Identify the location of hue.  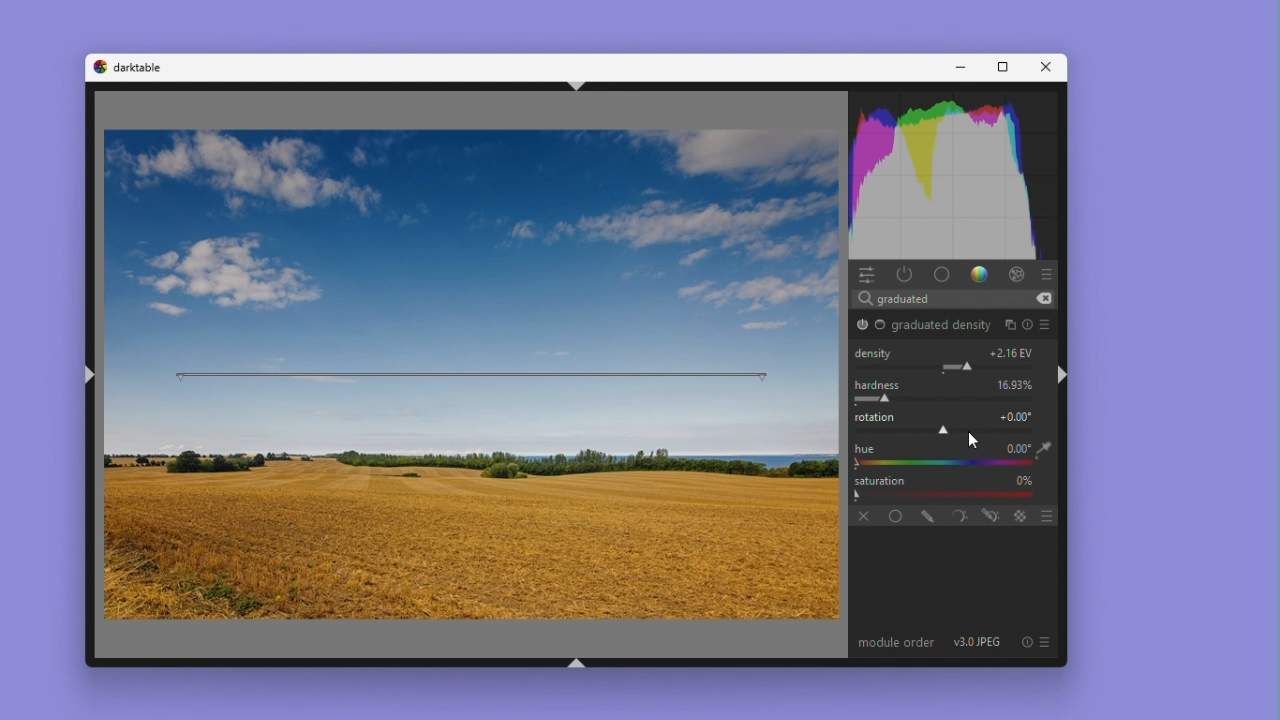
(865, 448).